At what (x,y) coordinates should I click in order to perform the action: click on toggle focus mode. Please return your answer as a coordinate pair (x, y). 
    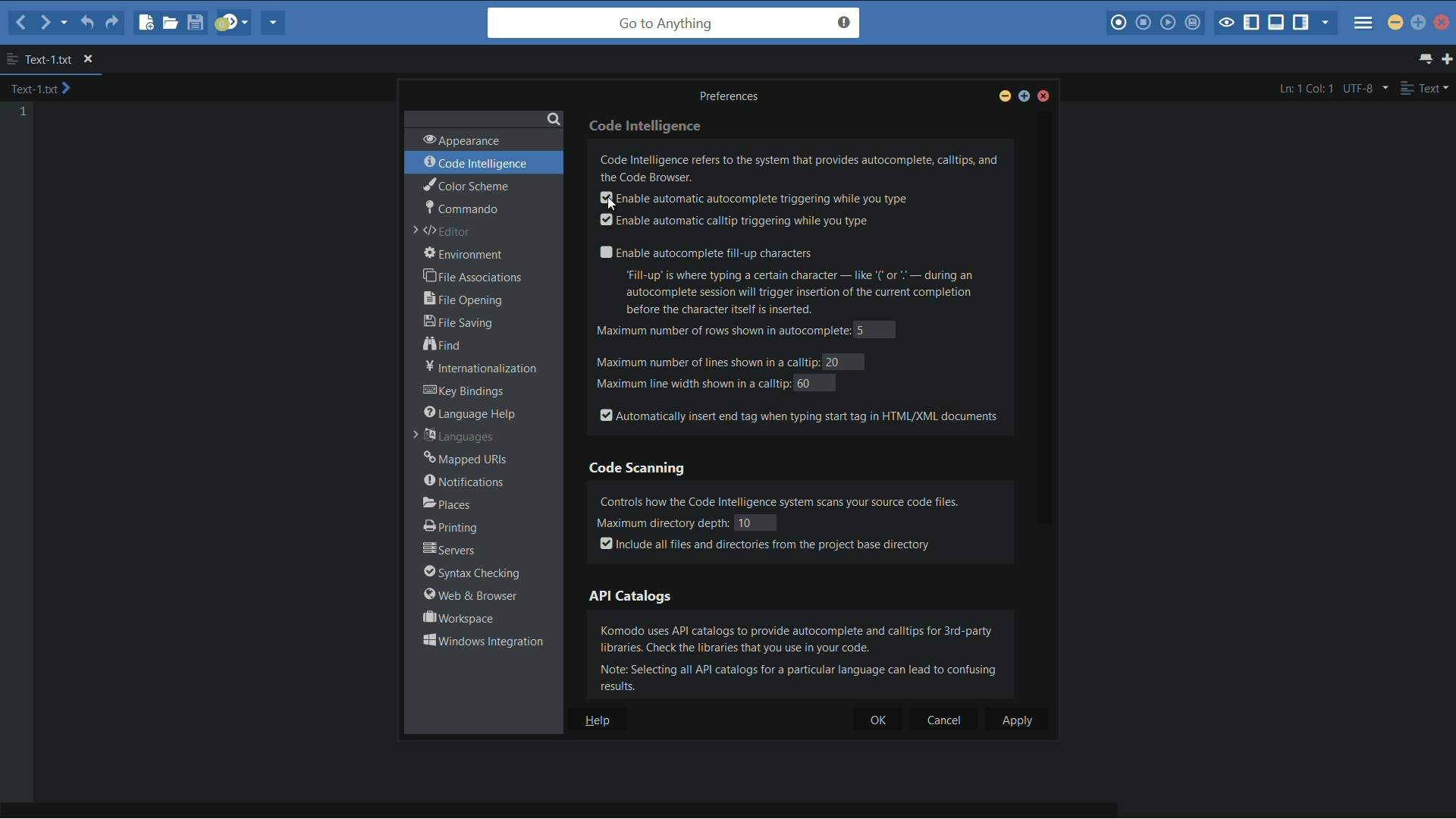
    Looking at the image, I should click on (1226, 24).